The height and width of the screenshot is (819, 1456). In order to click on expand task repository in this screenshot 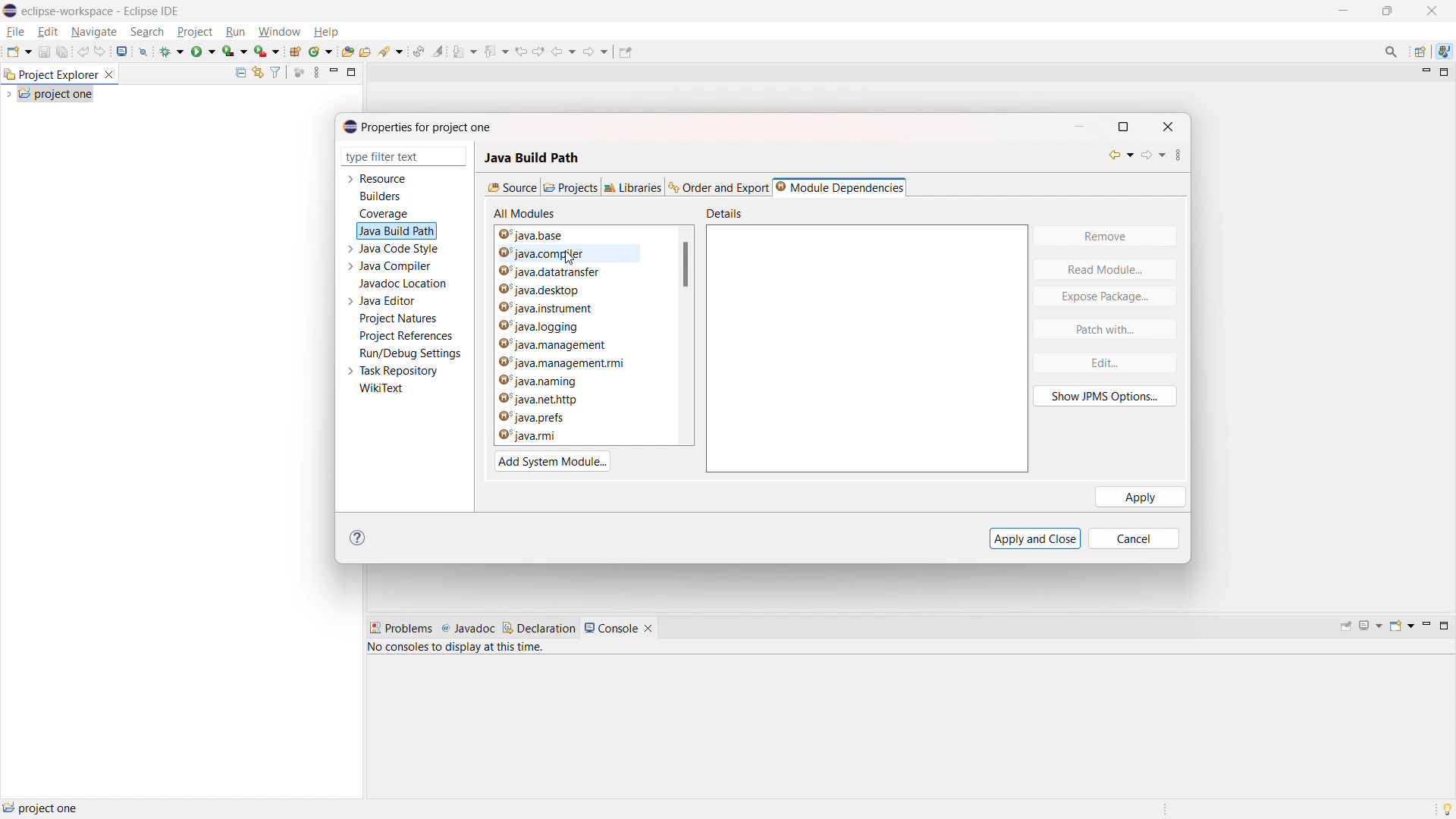, I will do `click(349, 372)`.